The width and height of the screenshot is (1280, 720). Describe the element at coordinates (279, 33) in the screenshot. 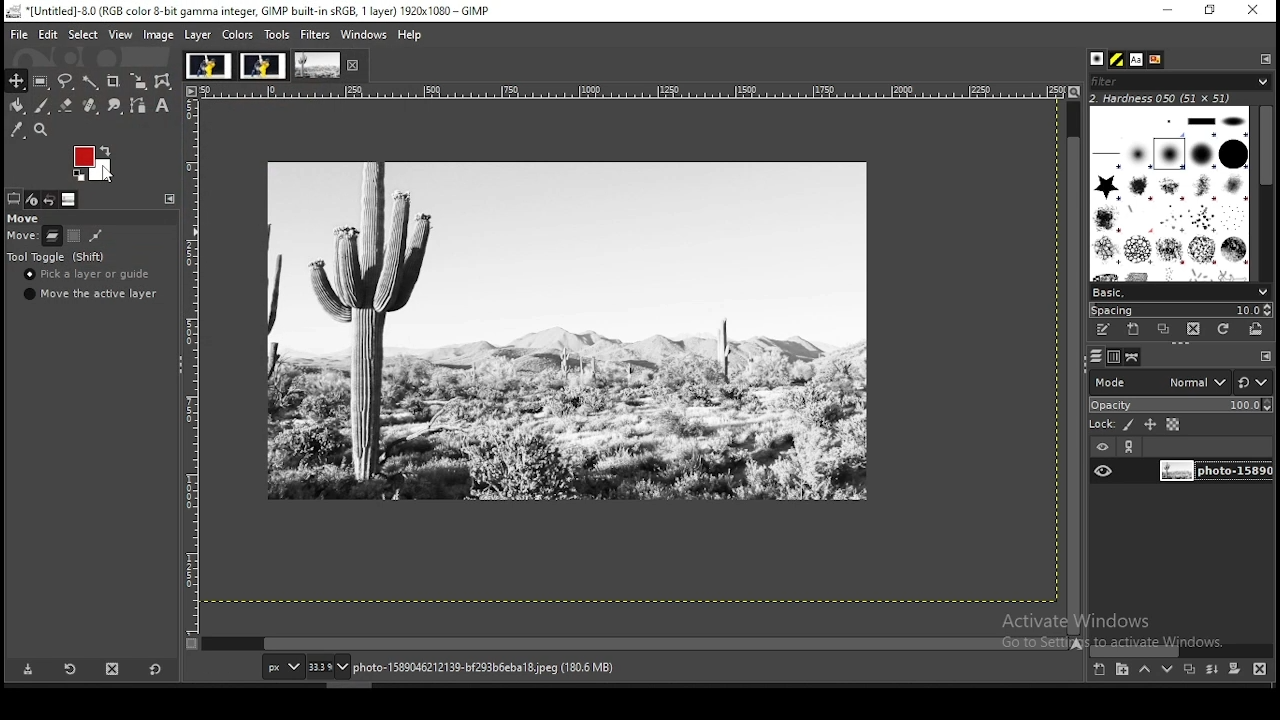

I see `tools` at that location.